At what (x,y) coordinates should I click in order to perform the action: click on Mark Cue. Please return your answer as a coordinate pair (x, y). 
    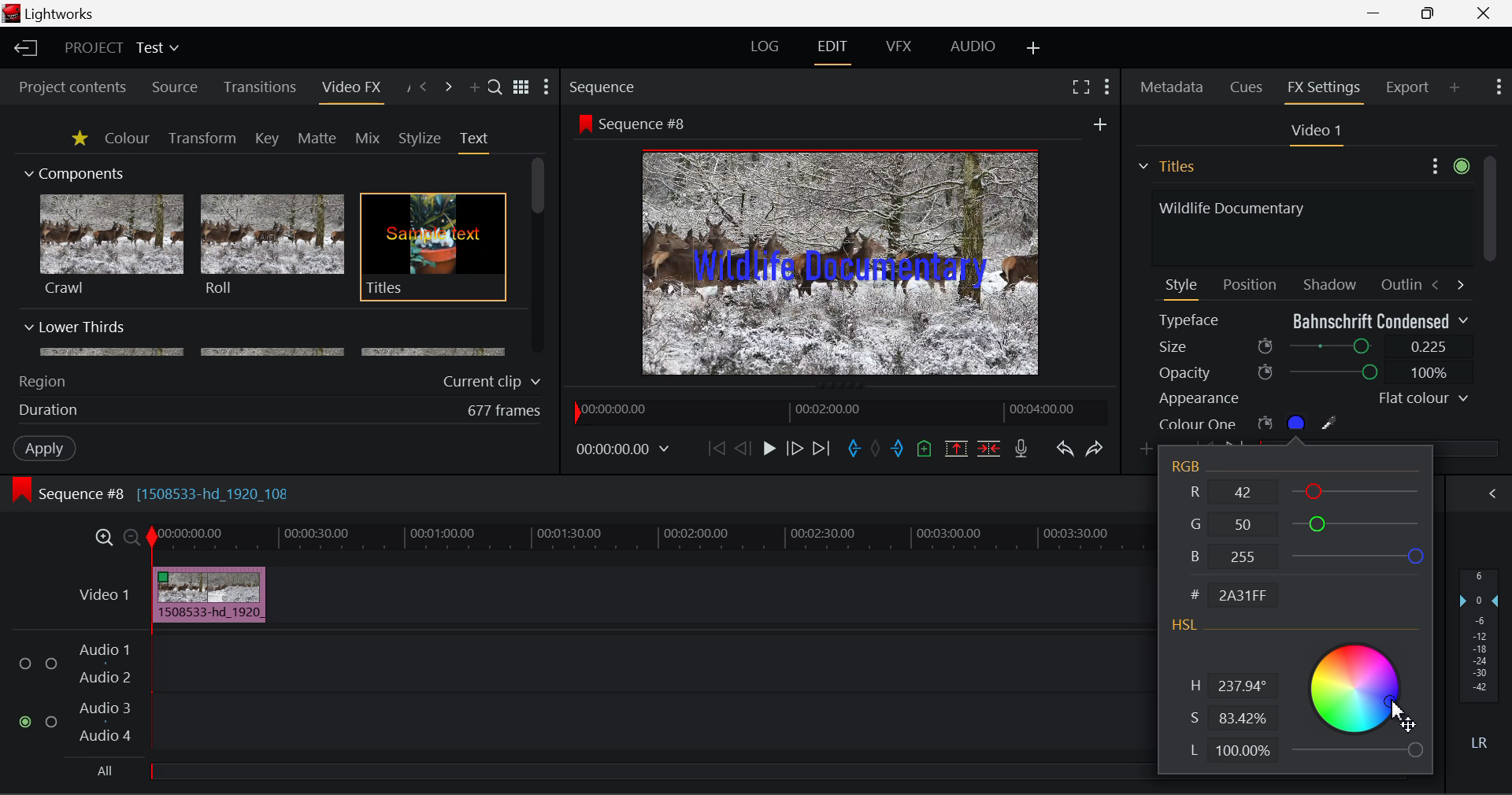
    Looking at the image, I should click on (926, 450).